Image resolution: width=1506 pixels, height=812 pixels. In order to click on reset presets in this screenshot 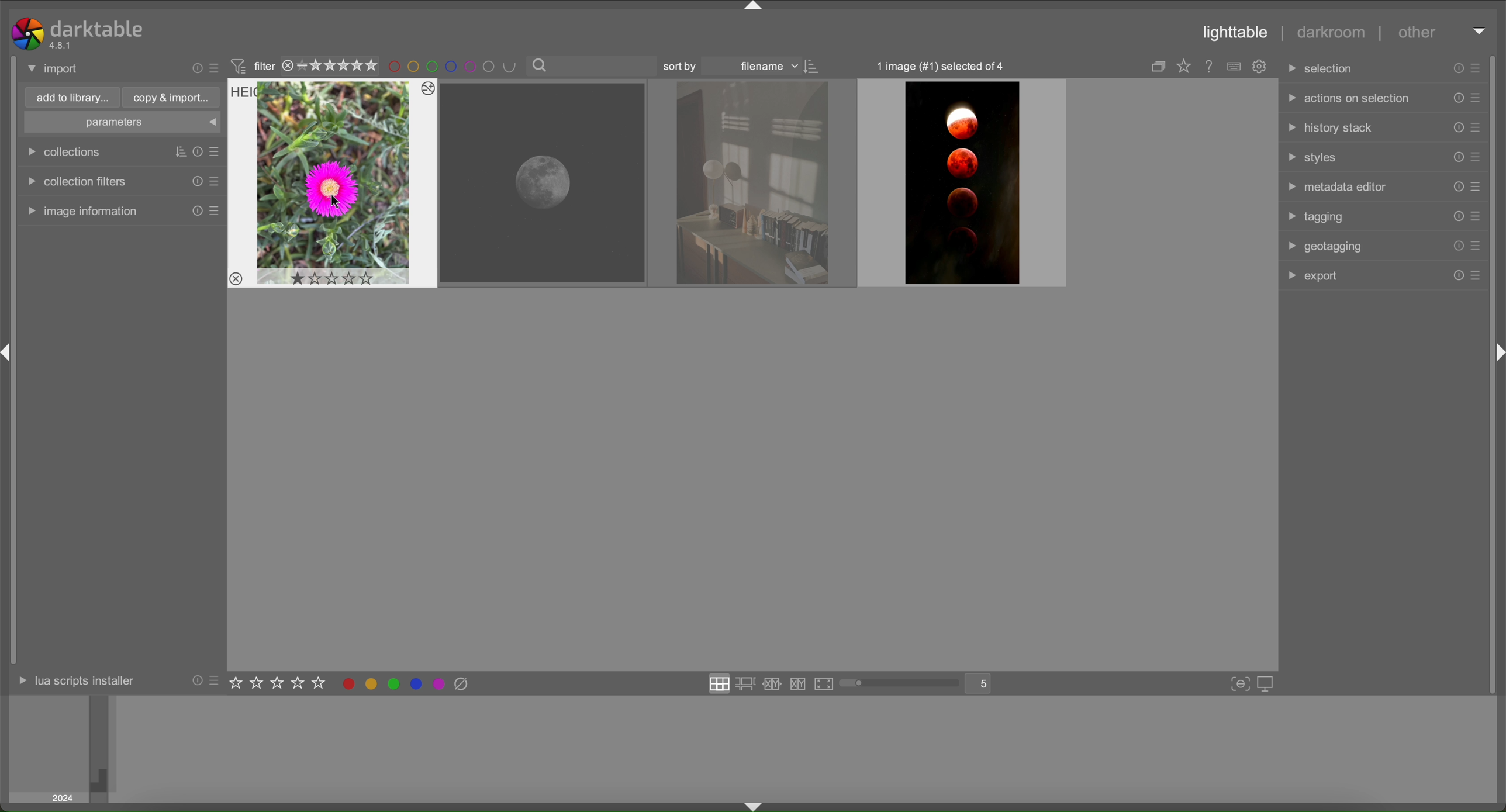, I will do `click(1456, 275)`.